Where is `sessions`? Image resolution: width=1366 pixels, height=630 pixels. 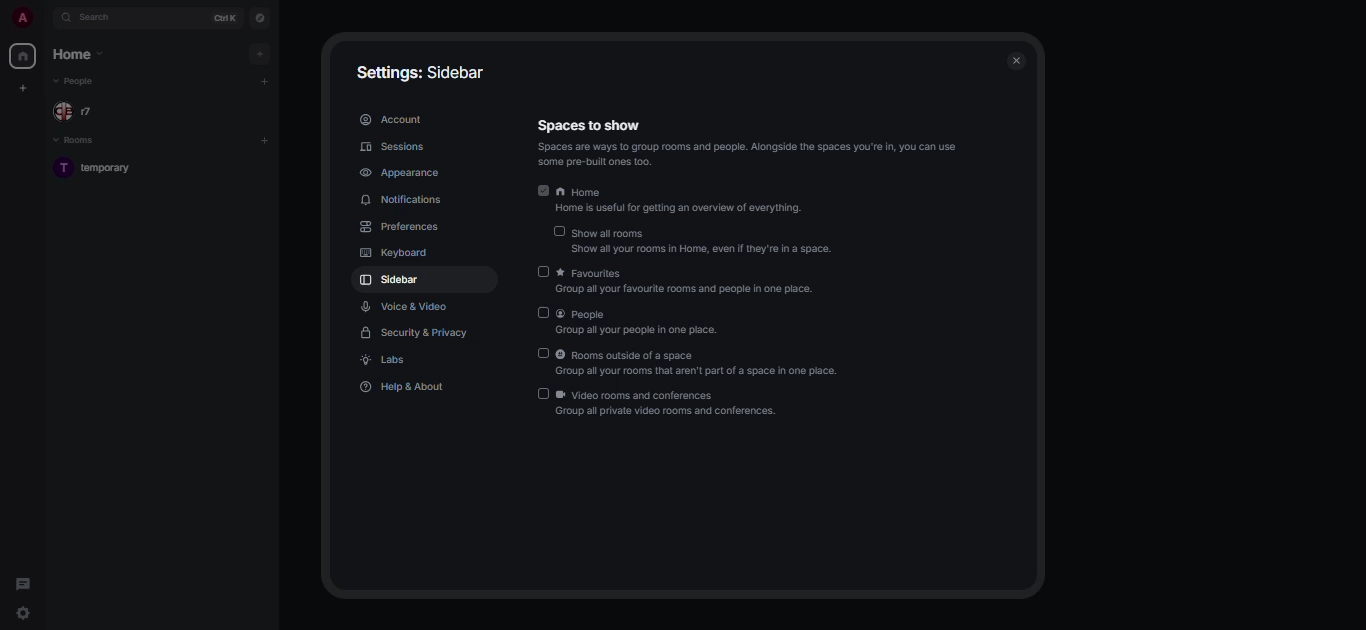 sessions is located at coordinates (395, 146).